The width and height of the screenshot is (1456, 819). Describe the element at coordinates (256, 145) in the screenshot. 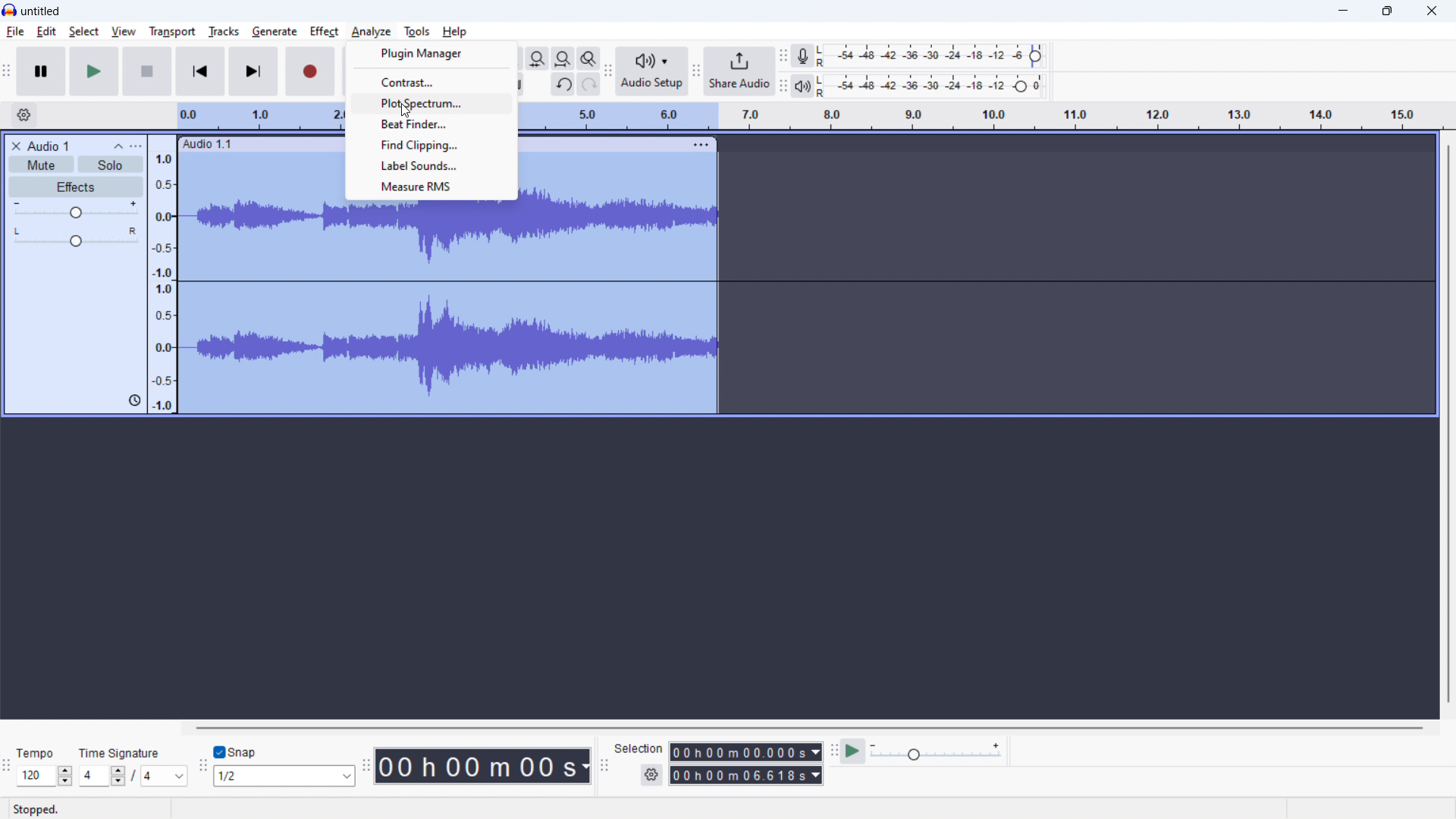

I see `click to move` at that location.